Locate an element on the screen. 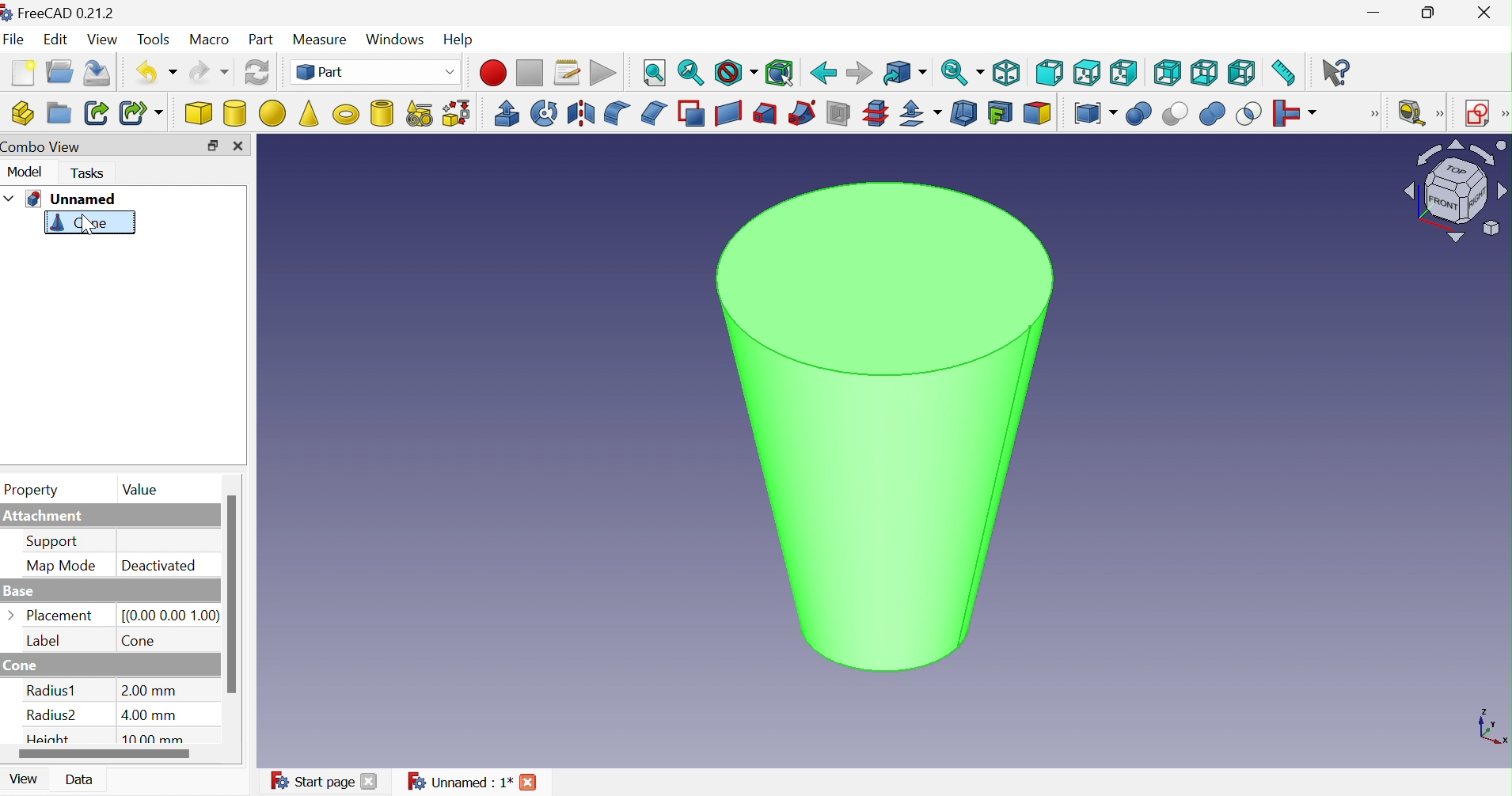  New is located at coordinates (25, 72).